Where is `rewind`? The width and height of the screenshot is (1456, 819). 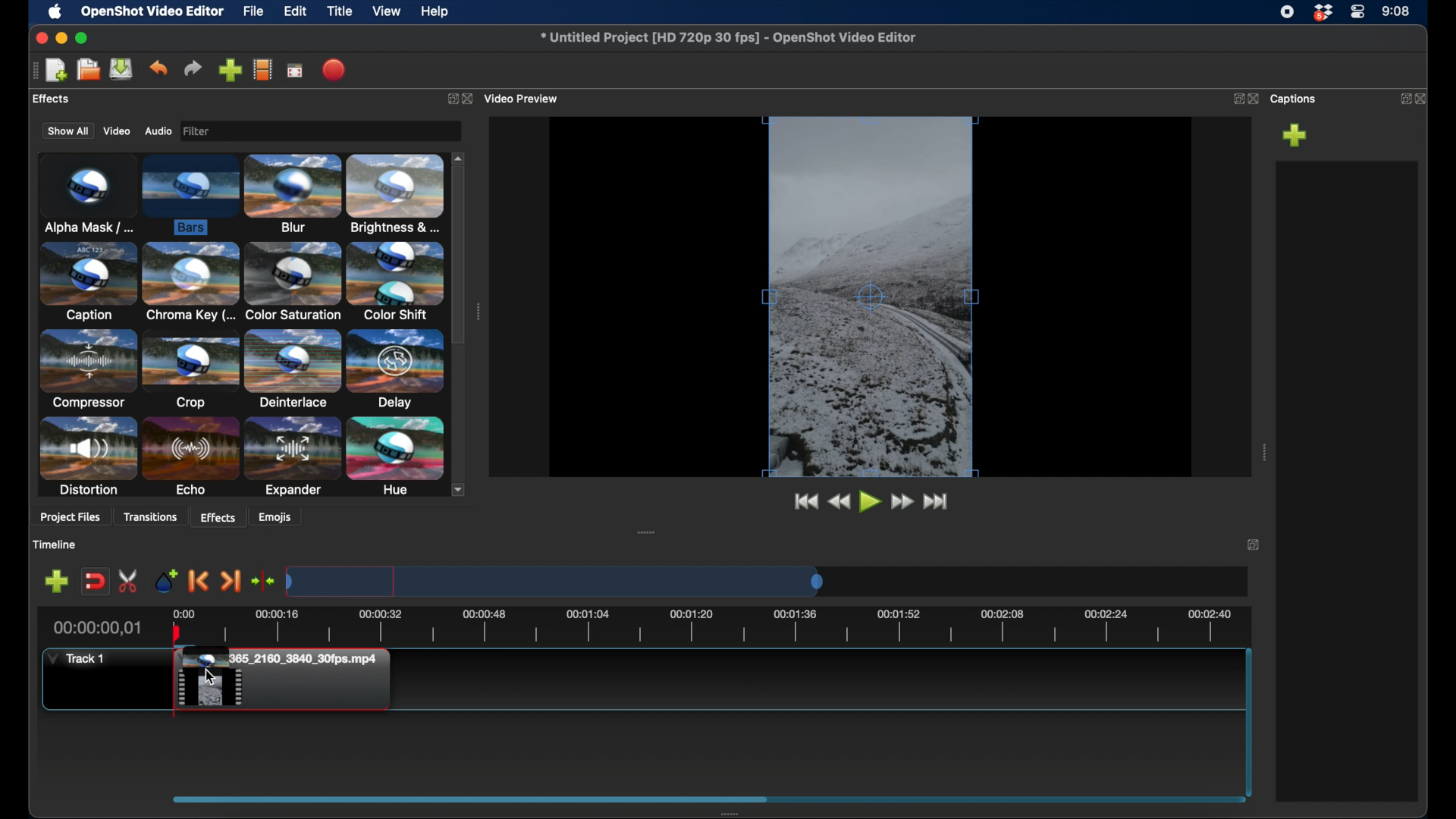
rewind is located at coordinates (839, 501).